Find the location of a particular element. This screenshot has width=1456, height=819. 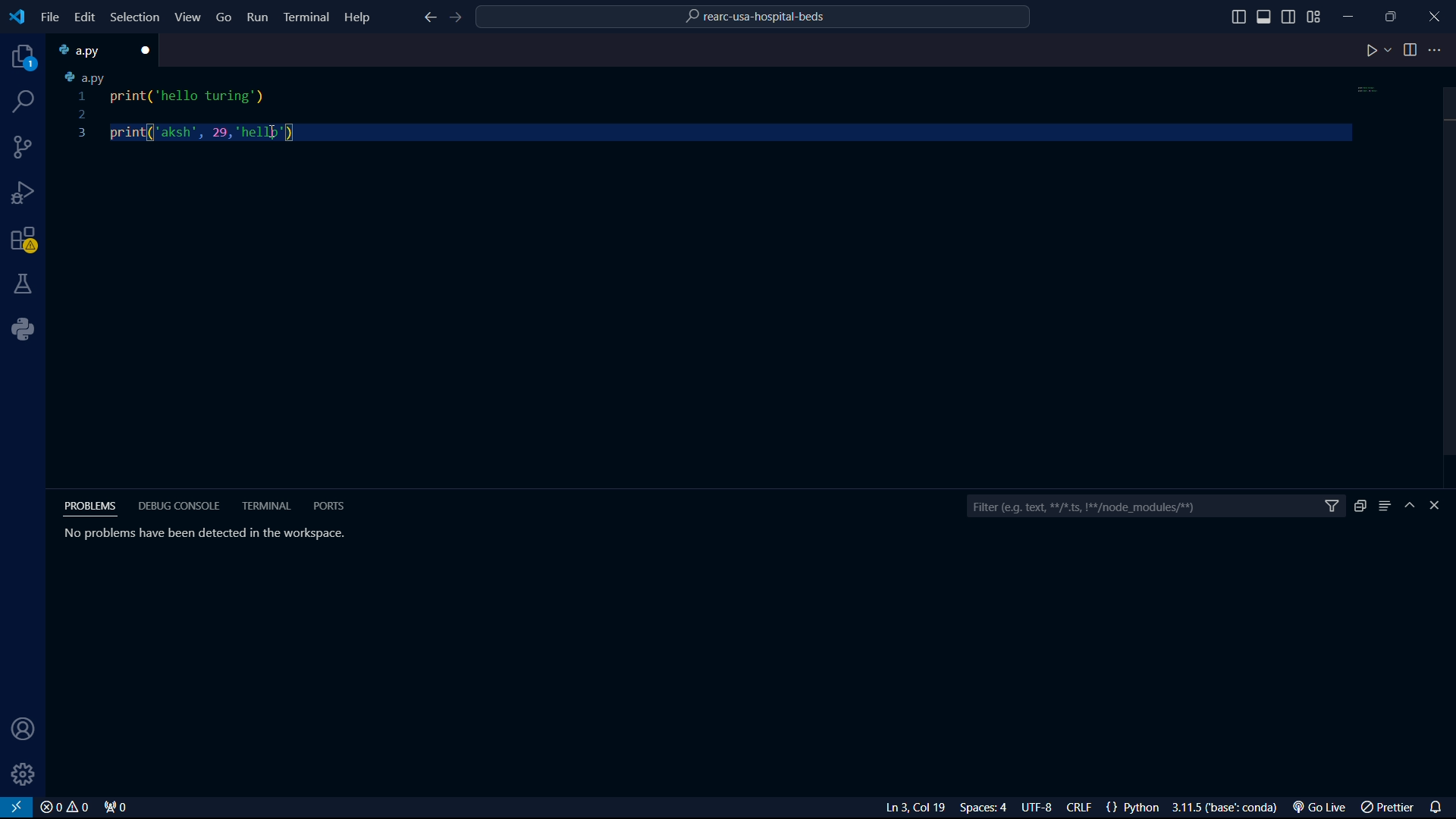

Selection is located at coordinates (137, 18).